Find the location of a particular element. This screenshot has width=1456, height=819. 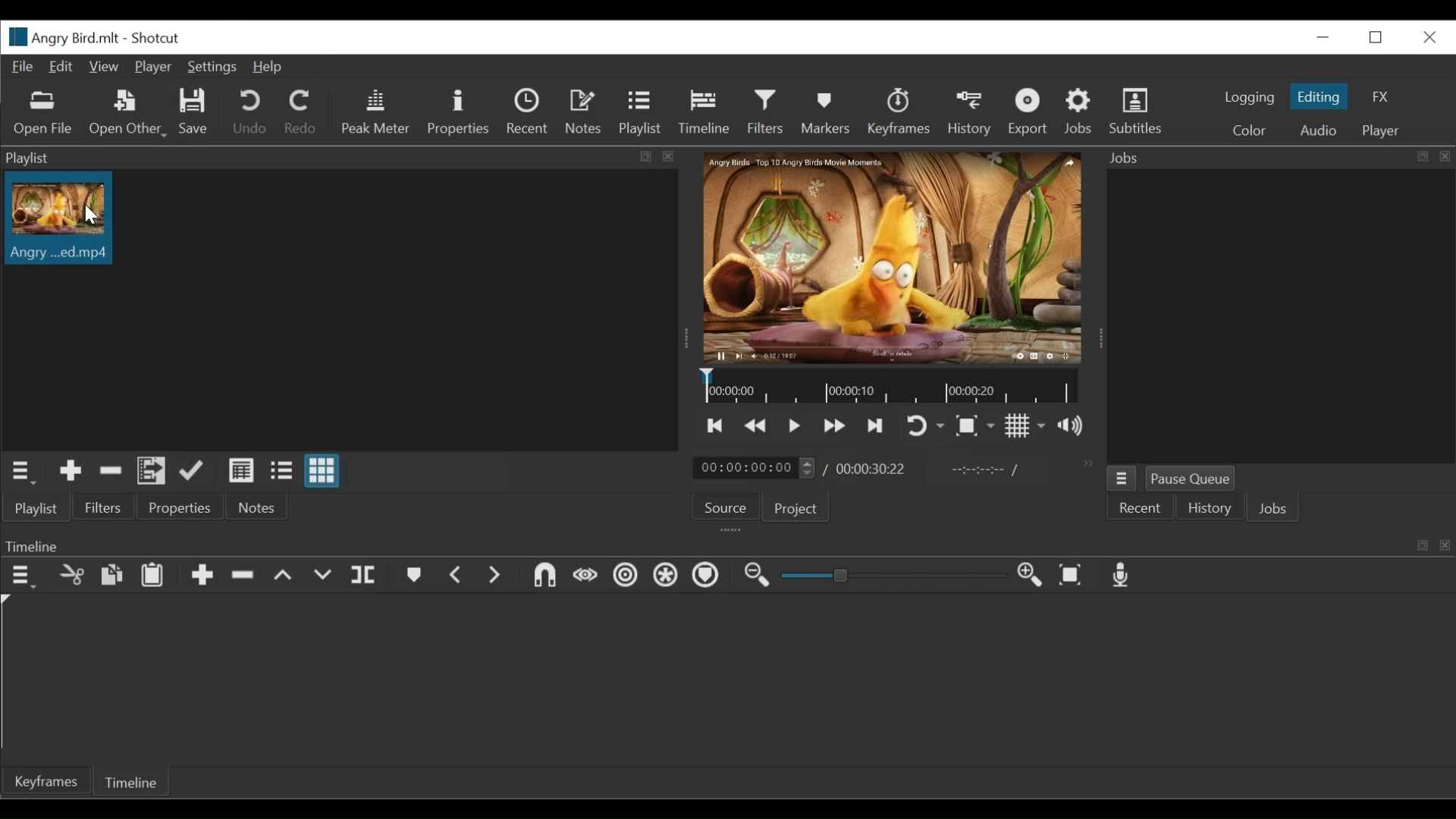

Restore is located at coordinates (1377, 37).